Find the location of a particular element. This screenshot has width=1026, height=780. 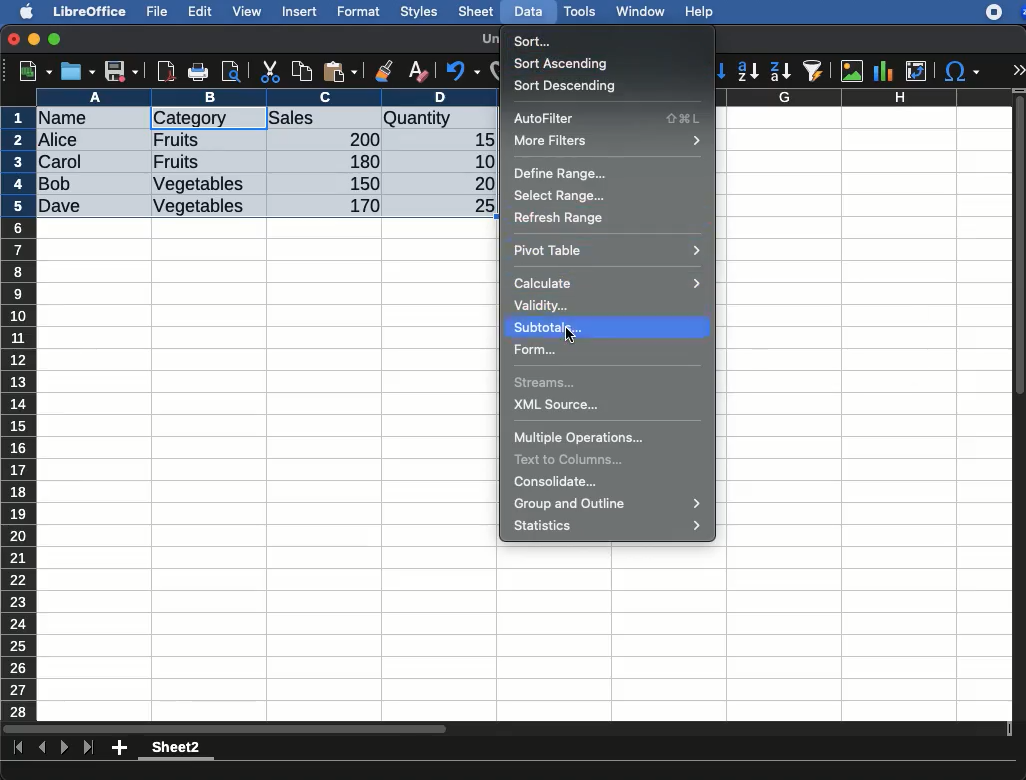

print is located at coordinates (198, 72).